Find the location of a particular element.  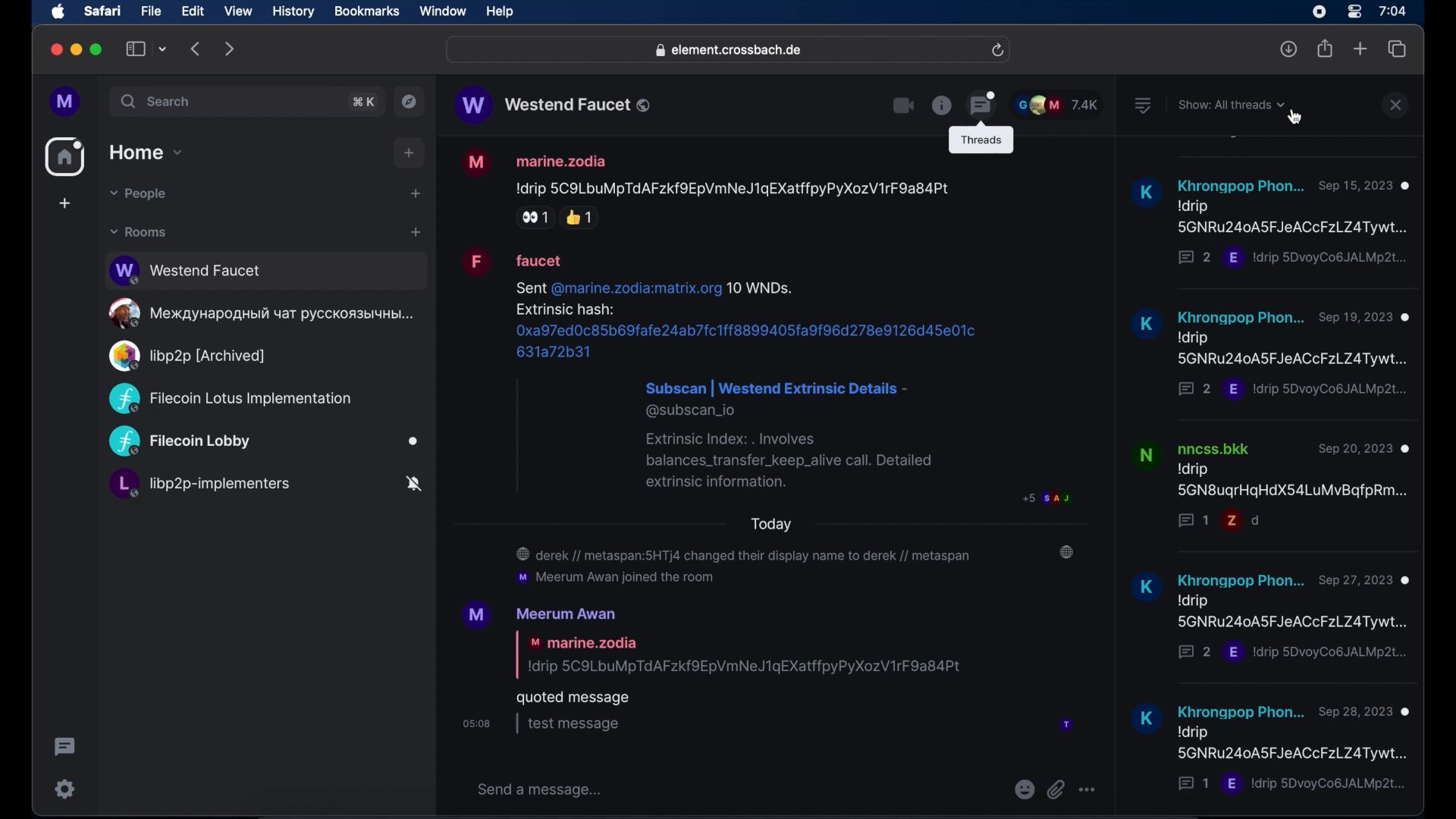

Sep 19,2023 @ is located at coordinates (1371, 317).